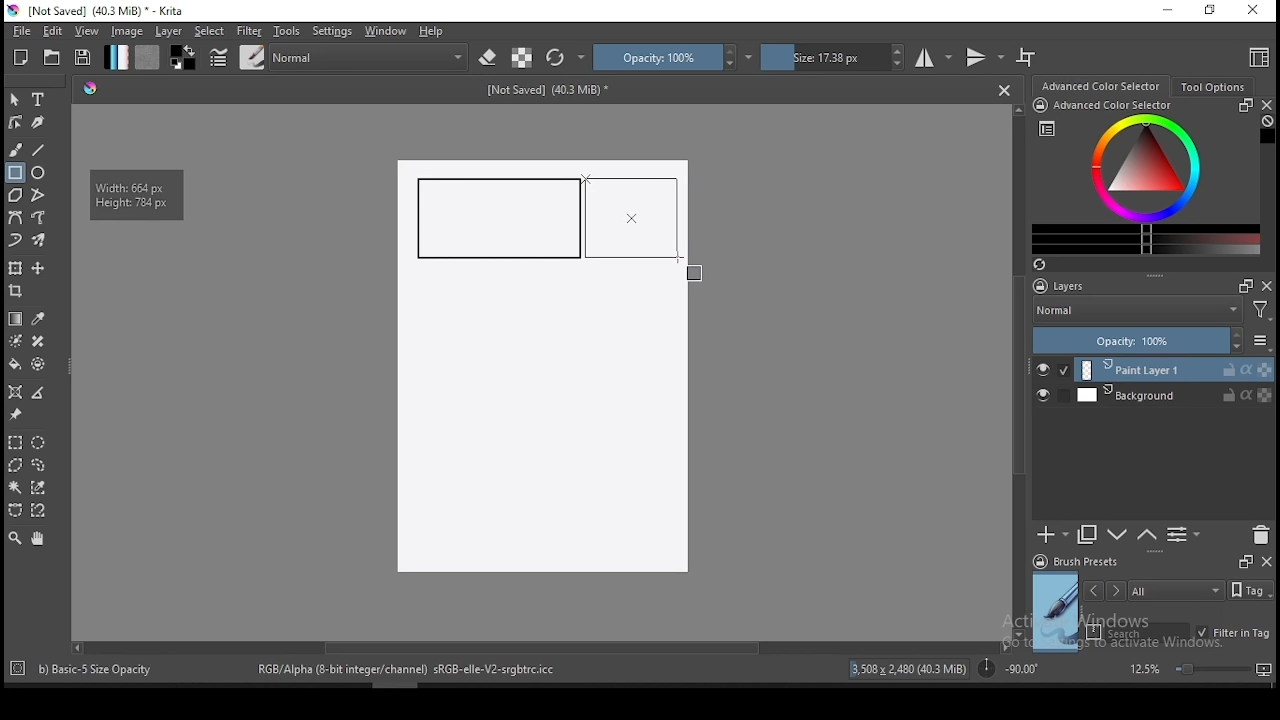  I want to click on Frames, so click(1245, 561).